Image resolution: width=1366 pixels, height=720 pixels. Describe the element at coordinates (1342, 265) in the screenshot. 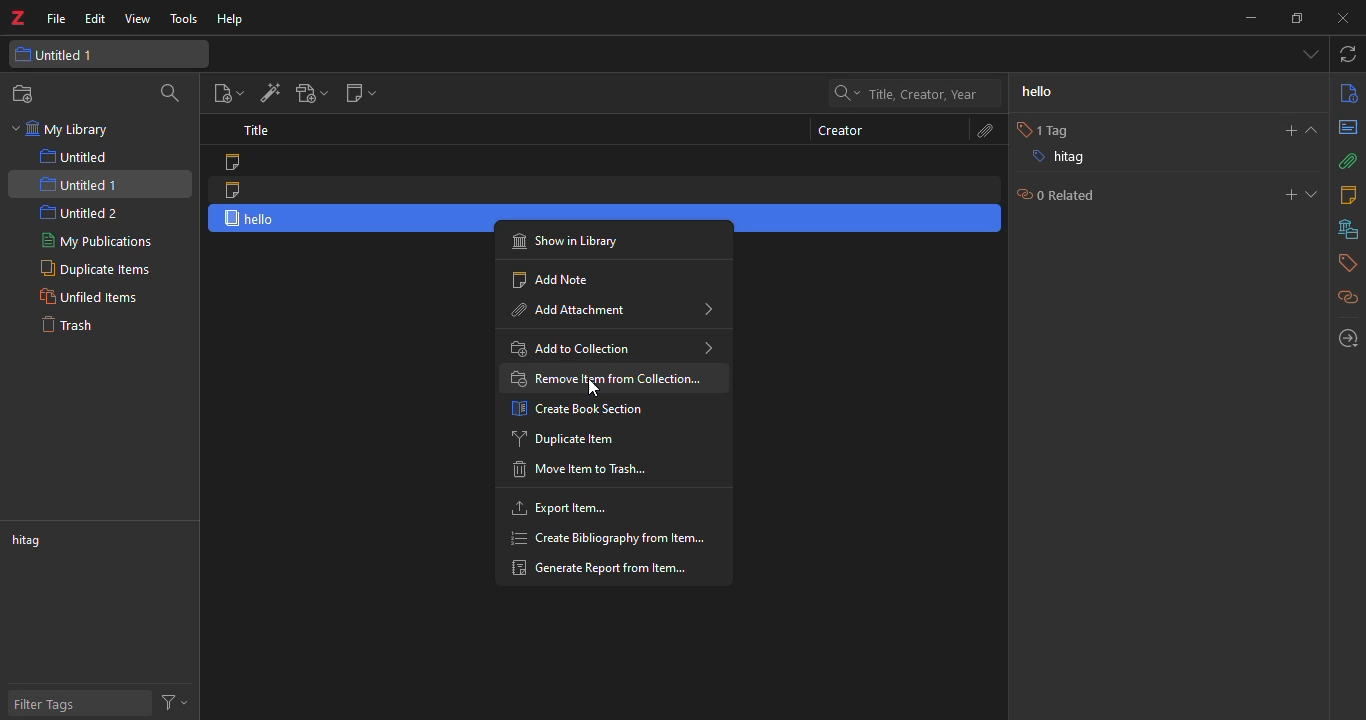

I see `tags` at that location.